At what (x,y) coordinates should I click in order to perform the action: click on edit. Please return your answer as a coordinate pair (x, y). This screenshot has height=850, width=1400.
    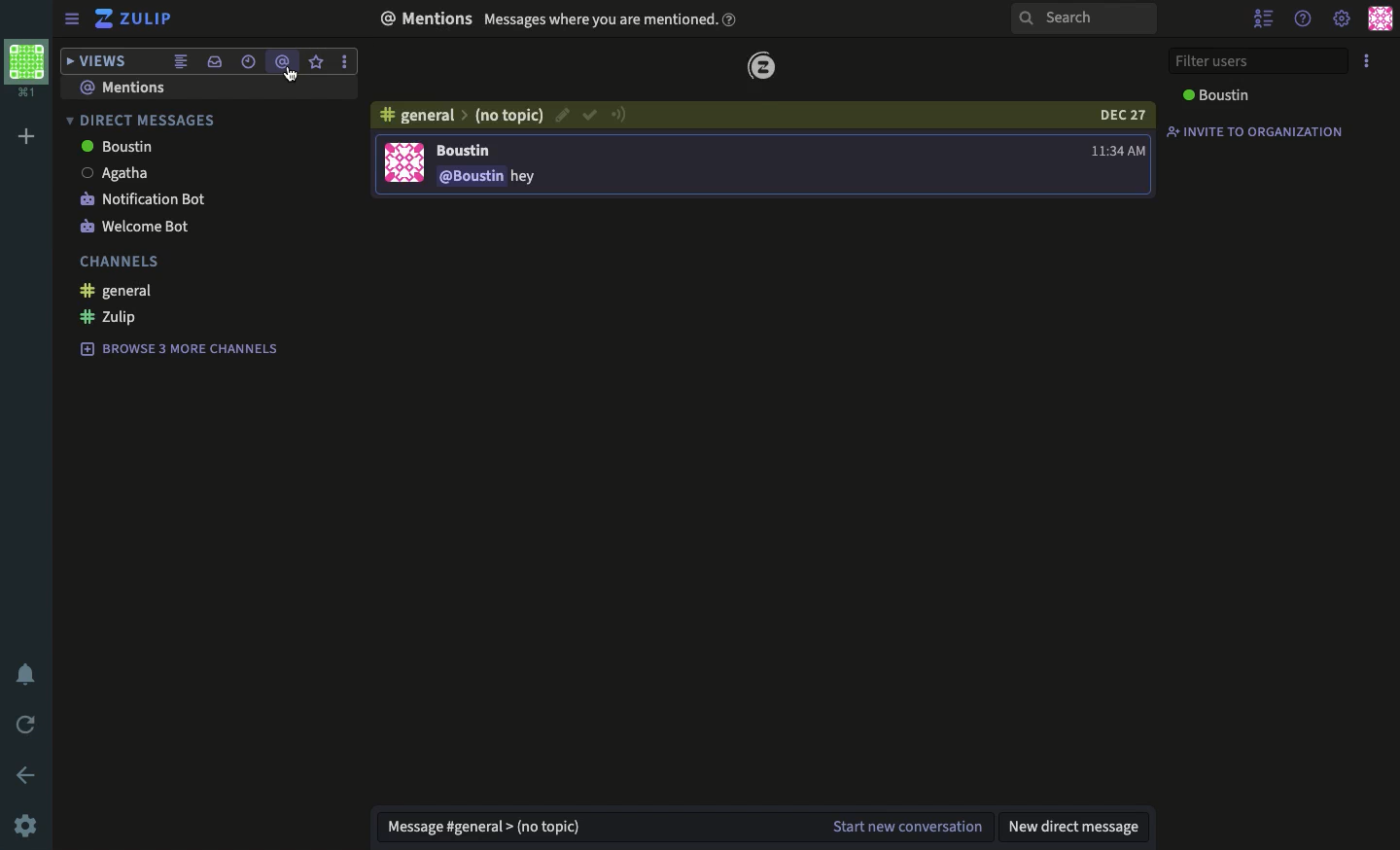
    Looking at the image, I should click on (561, 116).